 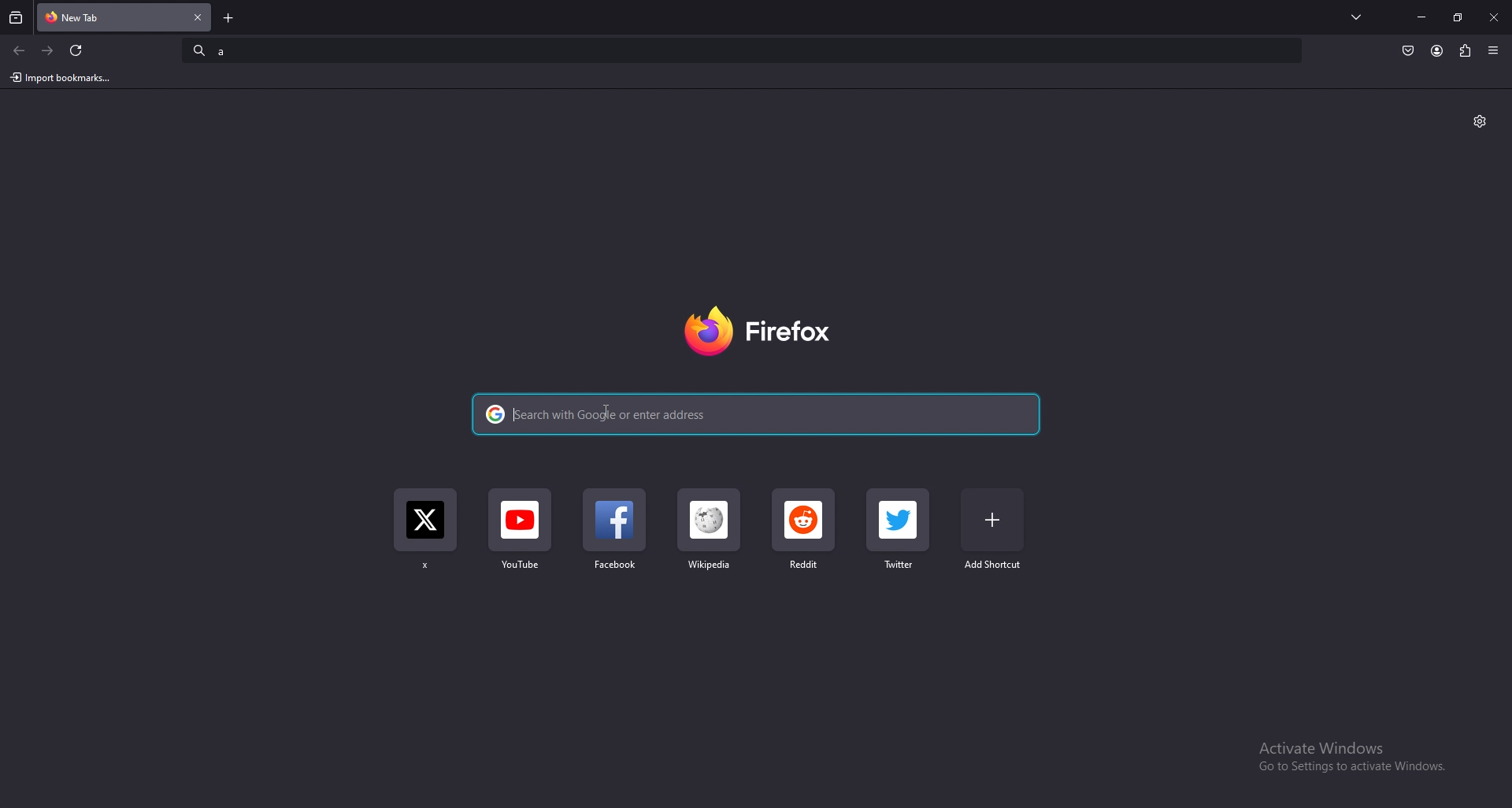 I want to click on recent browsing, so click(x=17, y=18).